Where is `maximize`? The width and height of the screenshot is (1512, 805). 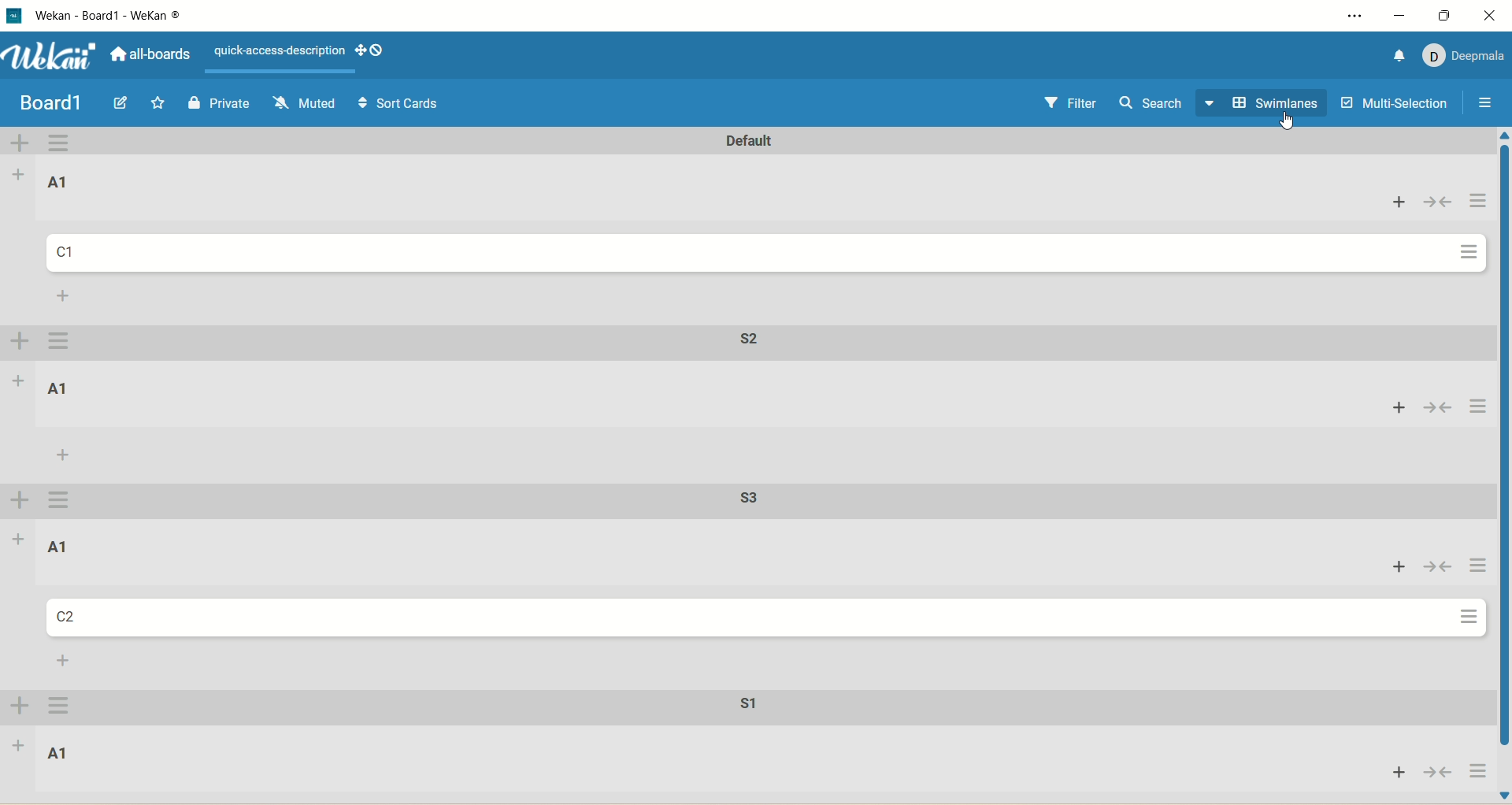 maximize is located at coordinates (1445, 13).